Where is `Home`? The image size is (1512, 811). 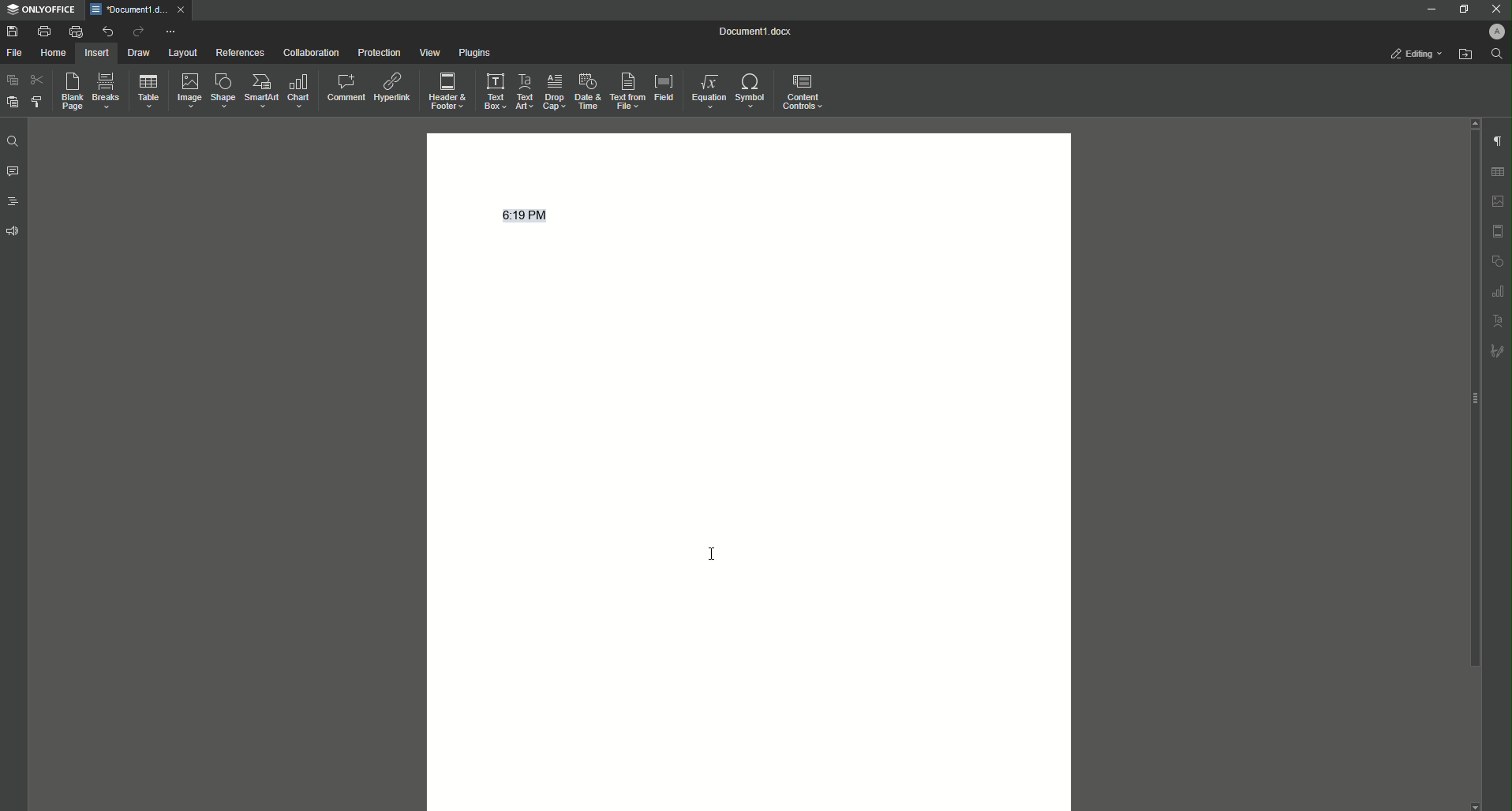 Home is located at coordinates (54, 53).